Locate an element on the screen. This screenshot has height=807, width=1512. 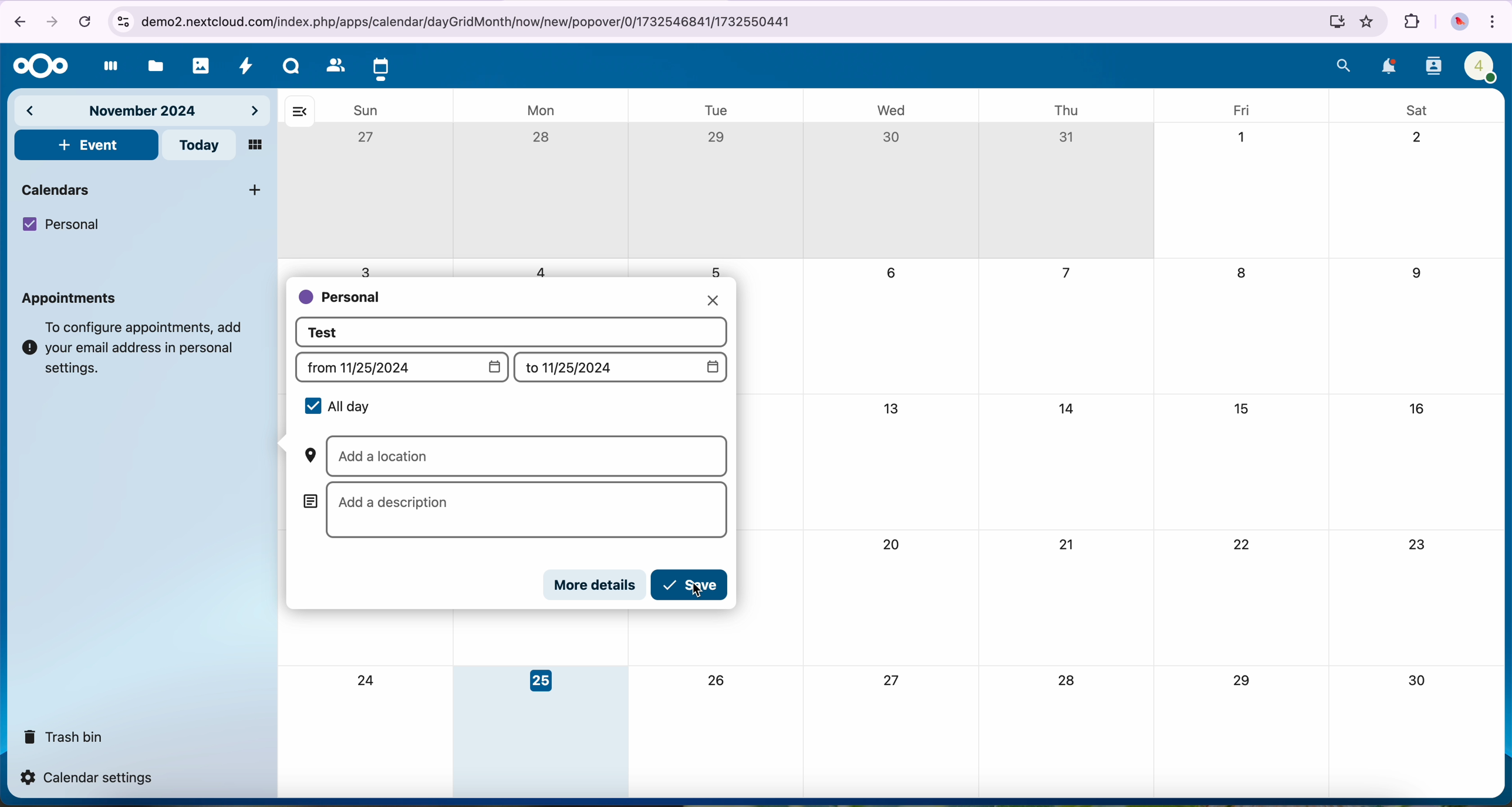
9 is located at coordinates (1415, 274).